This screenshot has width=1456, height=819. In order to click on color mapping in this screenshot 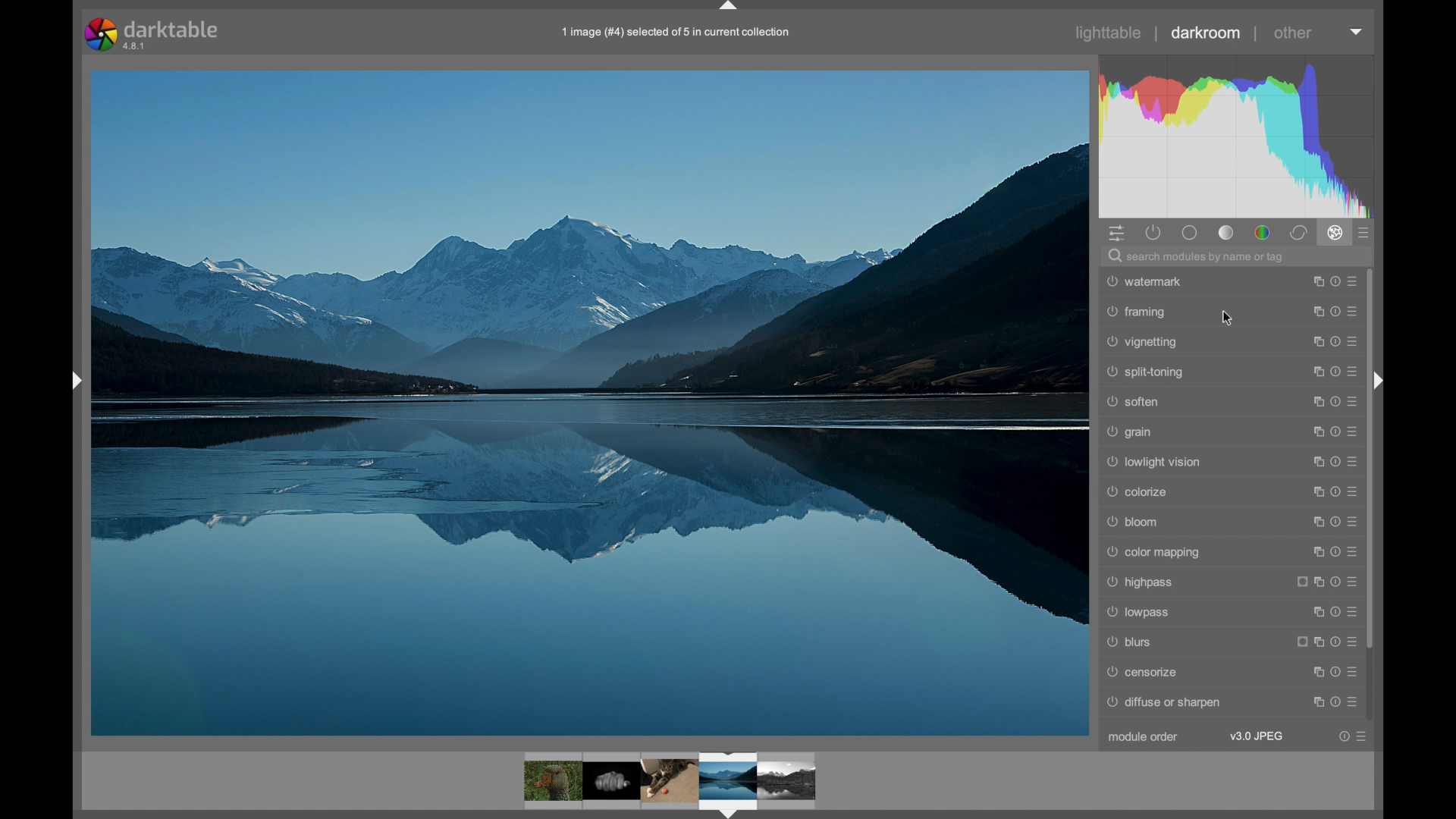, I will do `click(1155, 554)`.